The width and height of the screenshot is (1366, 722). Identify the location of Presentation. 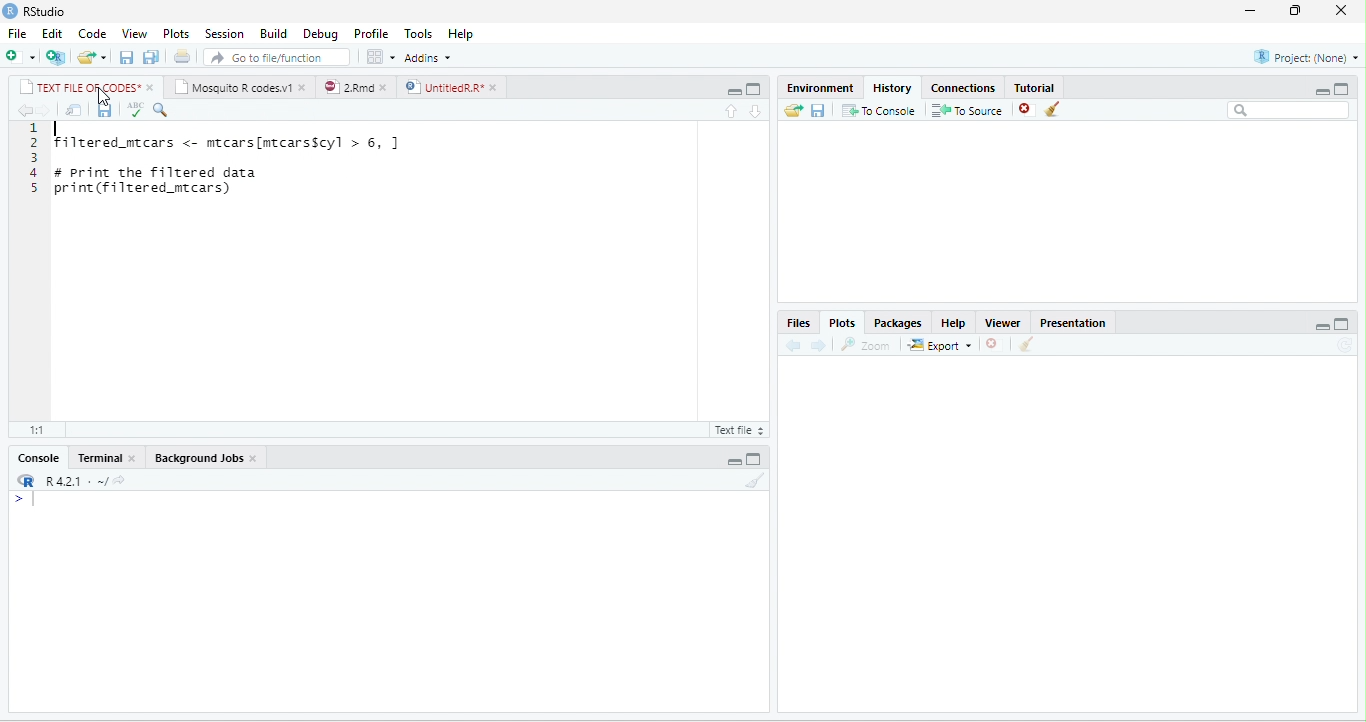
(1072, 323).